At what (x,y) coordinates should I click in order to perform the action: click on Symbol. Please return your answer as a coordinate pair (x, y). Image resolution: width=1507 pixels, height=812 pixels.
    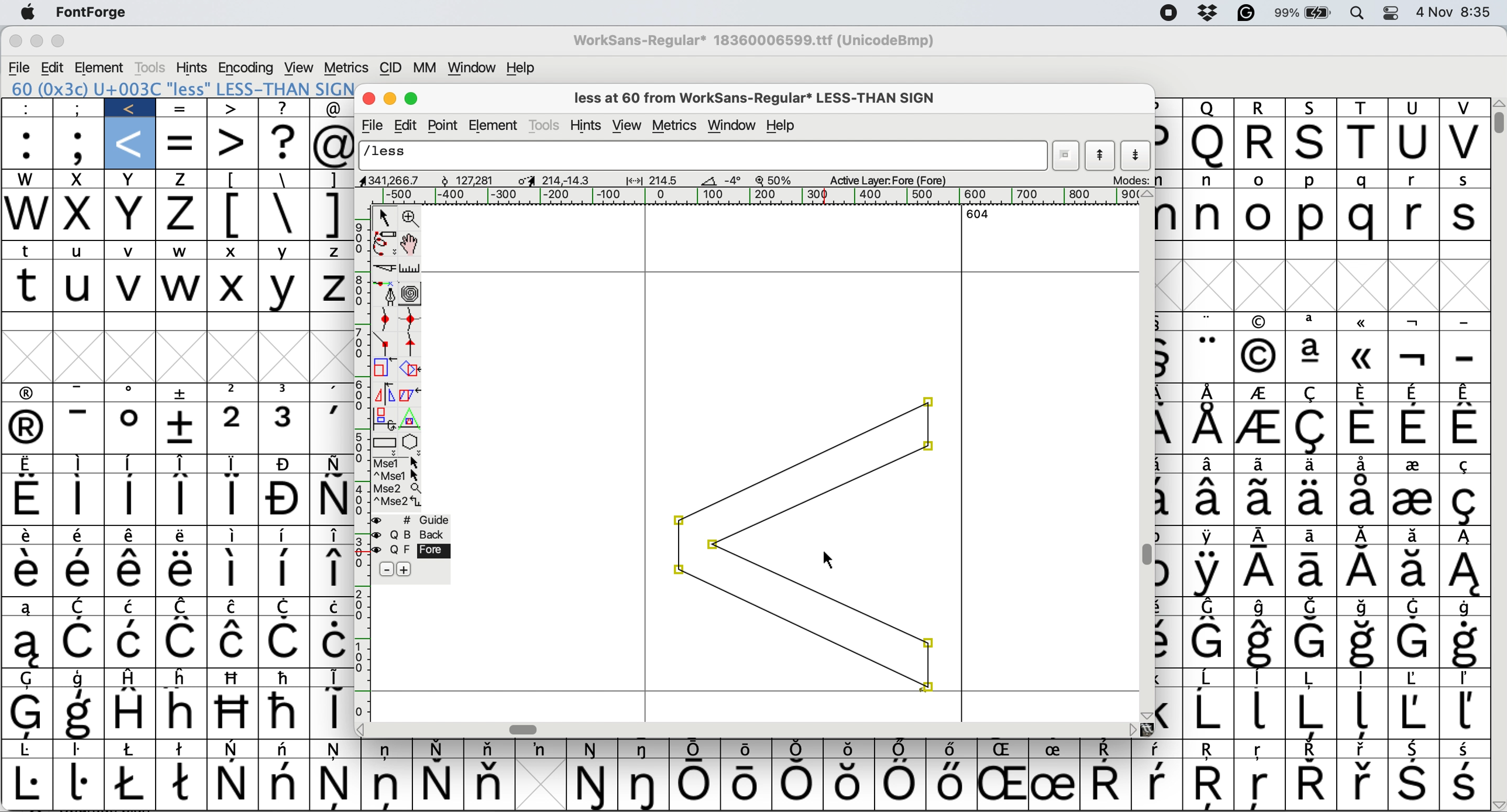
    Looking at the image, I should click on (1054, 749).